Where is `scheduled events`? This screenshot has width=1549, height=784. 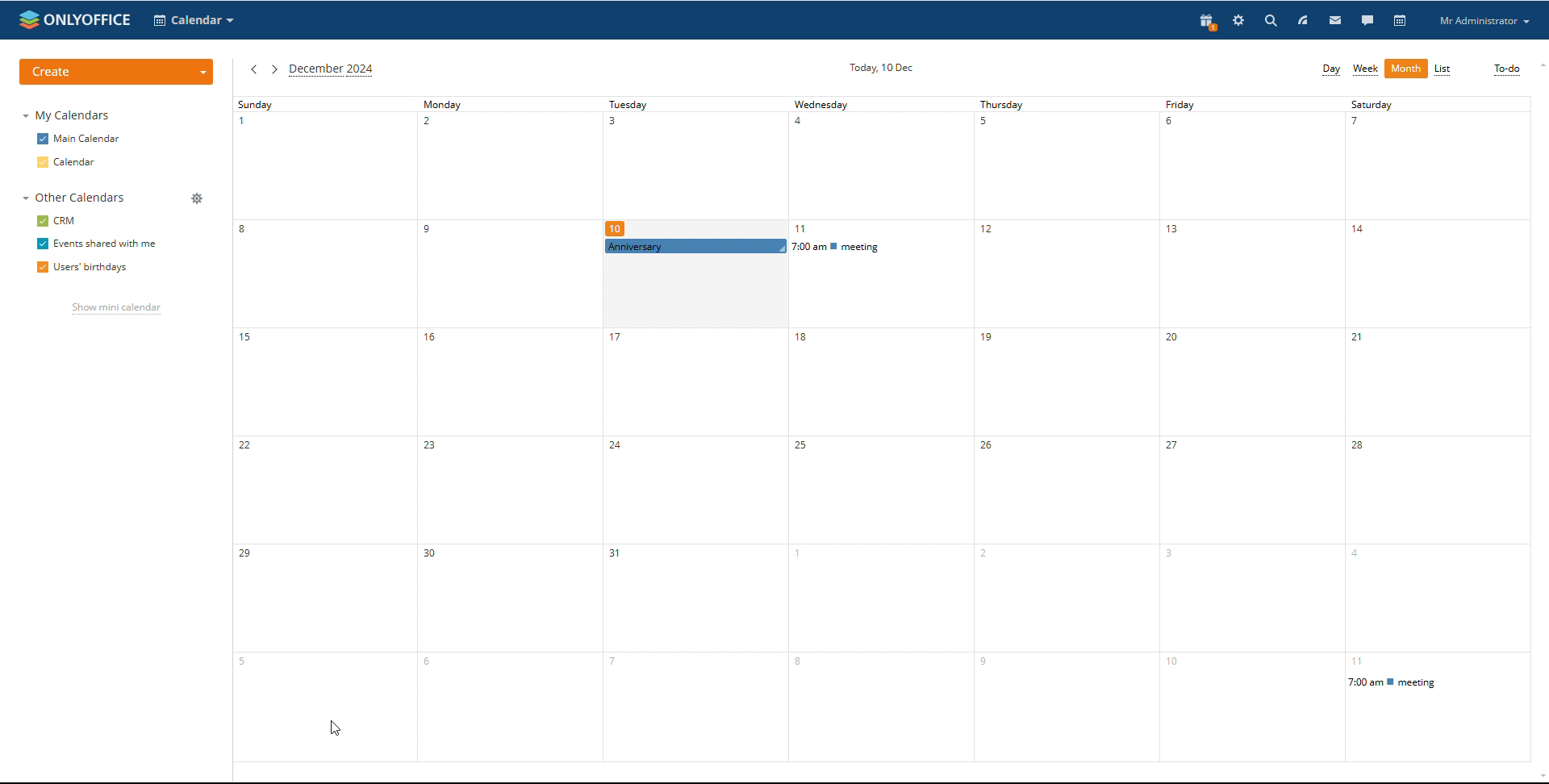
scheduled events is located at coordinates (783, 246).